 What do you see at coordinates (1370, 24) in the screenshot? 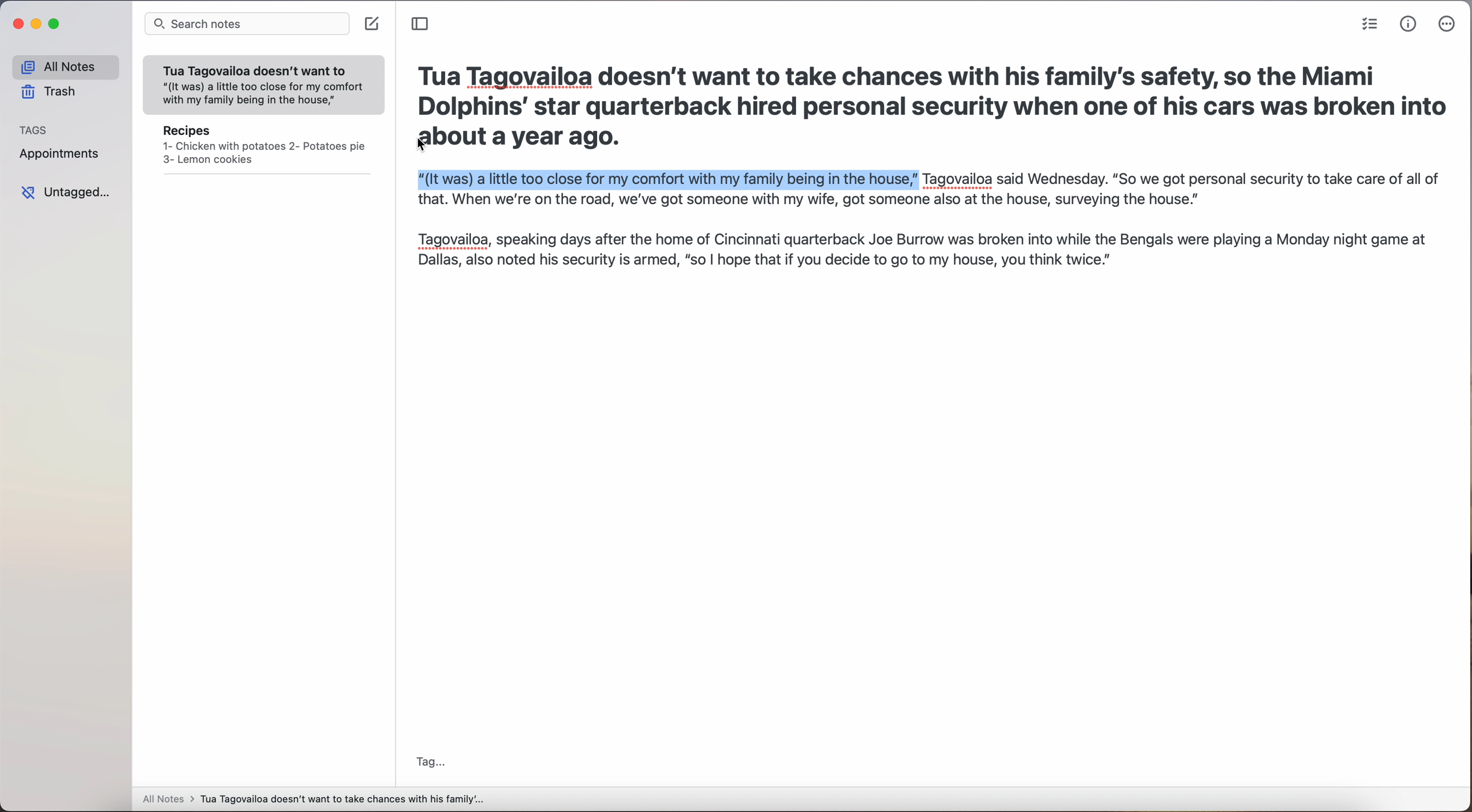
I see `check list` at bounding box center [1370, 24].